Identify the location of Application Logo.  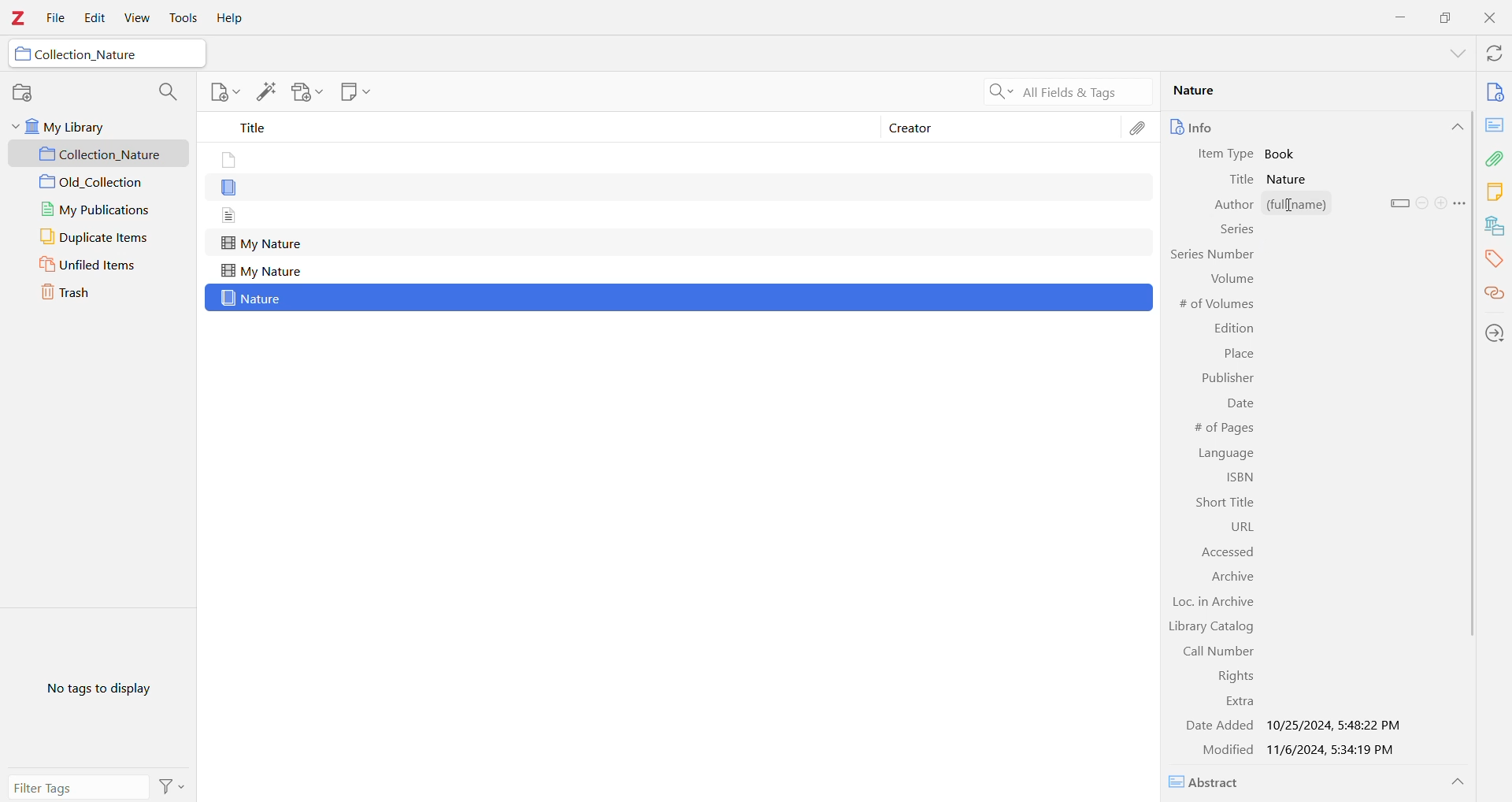
(17, 20).